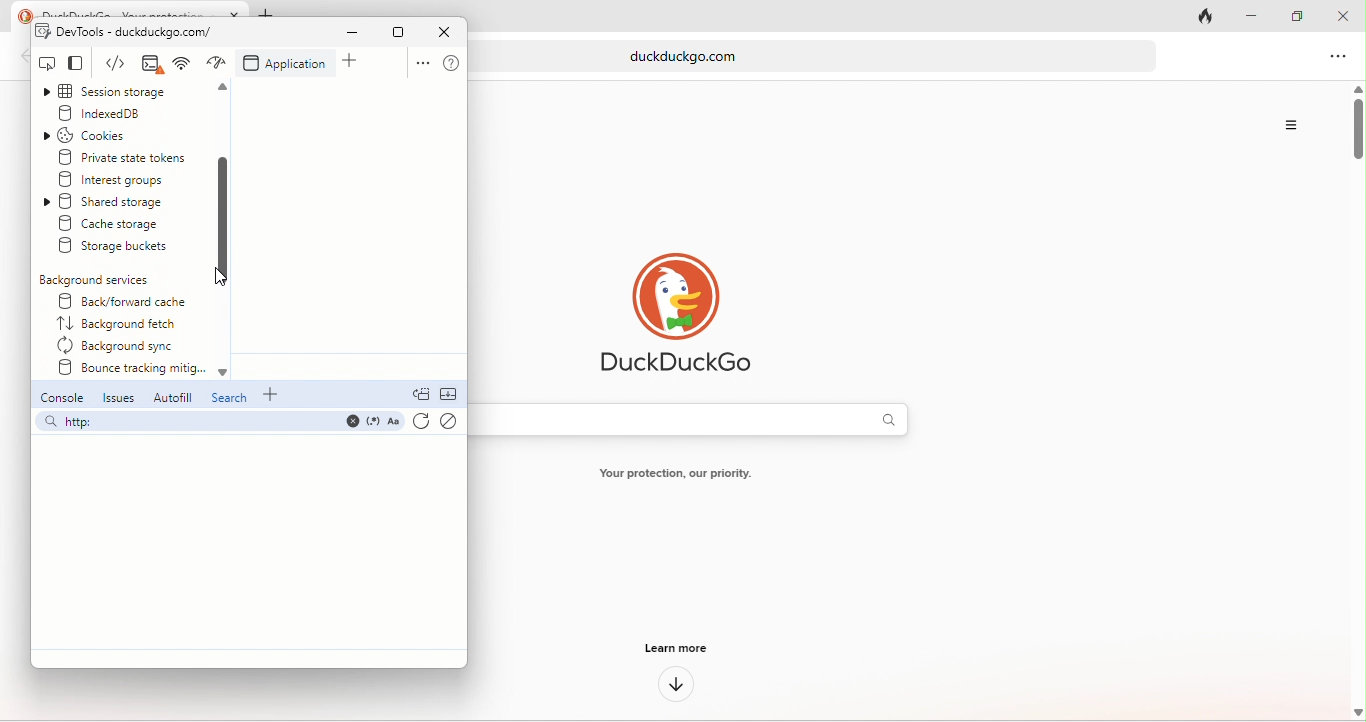 This screenshot has width=1366, height=722. Describe the element at coordinates (1340, 58) in the screenshot. I see `option` at that location.